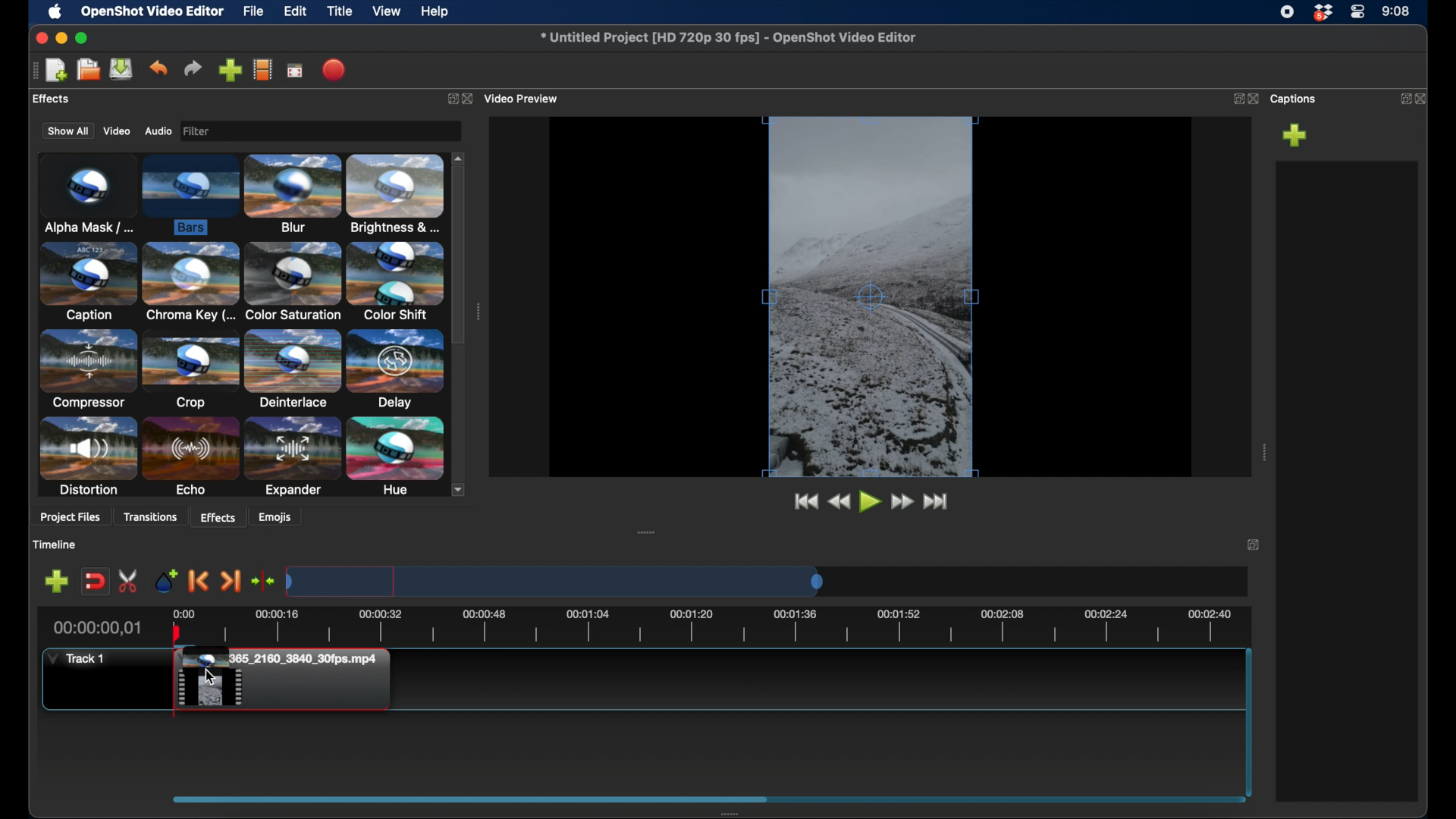 This screenshot has width=1456, height=819. I want to click on drag handle, so click(478, 312).